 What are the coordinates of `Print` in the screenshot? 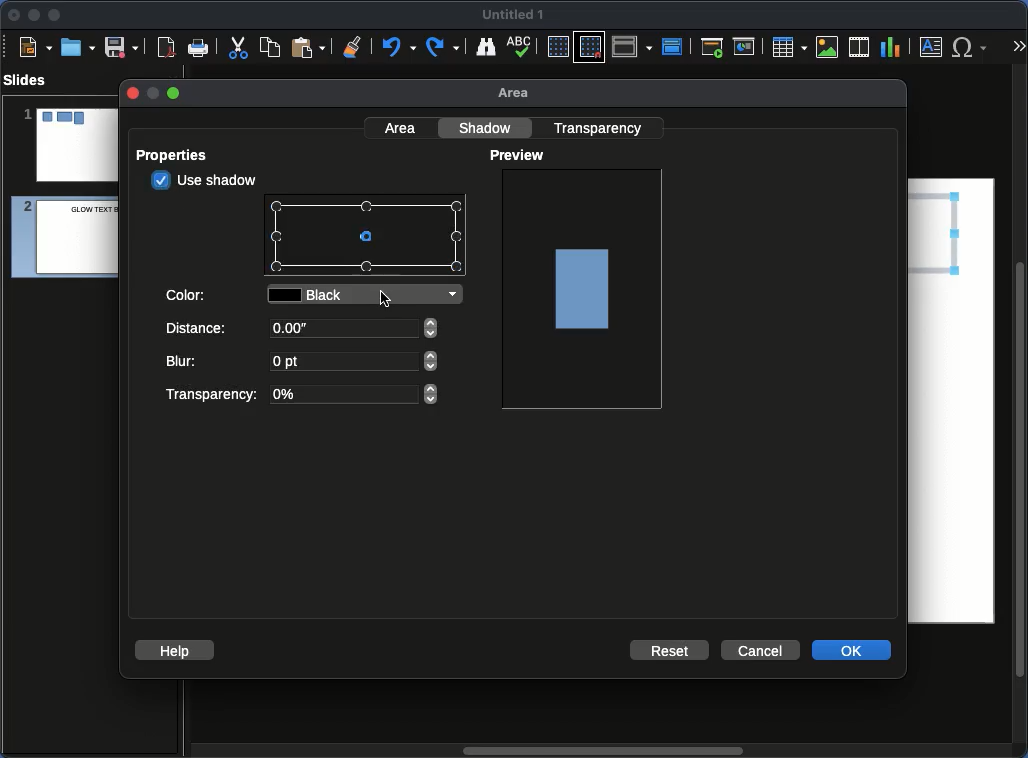 It's located at (199, 49).